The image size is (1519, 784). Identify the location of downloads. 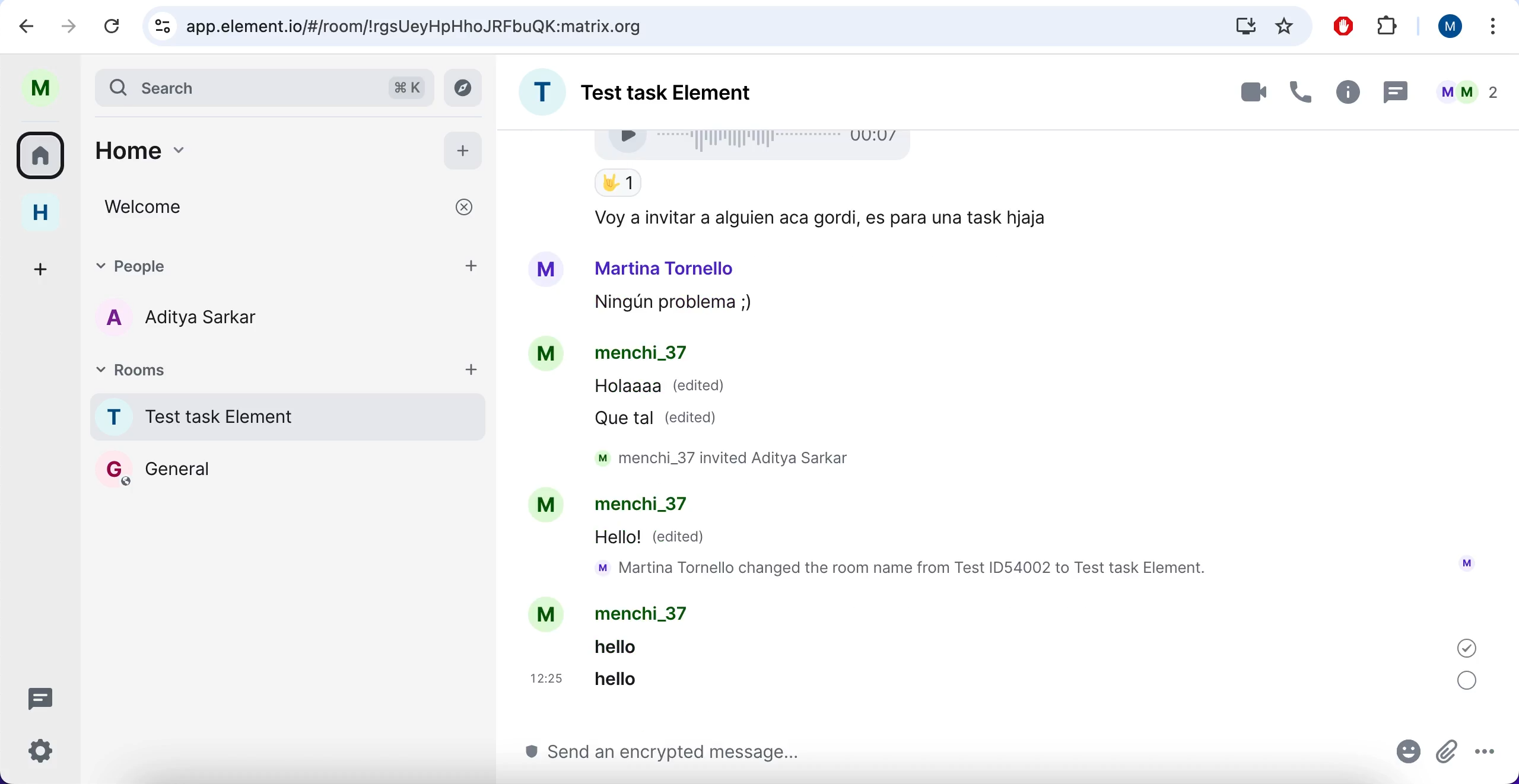
(1244, 26).